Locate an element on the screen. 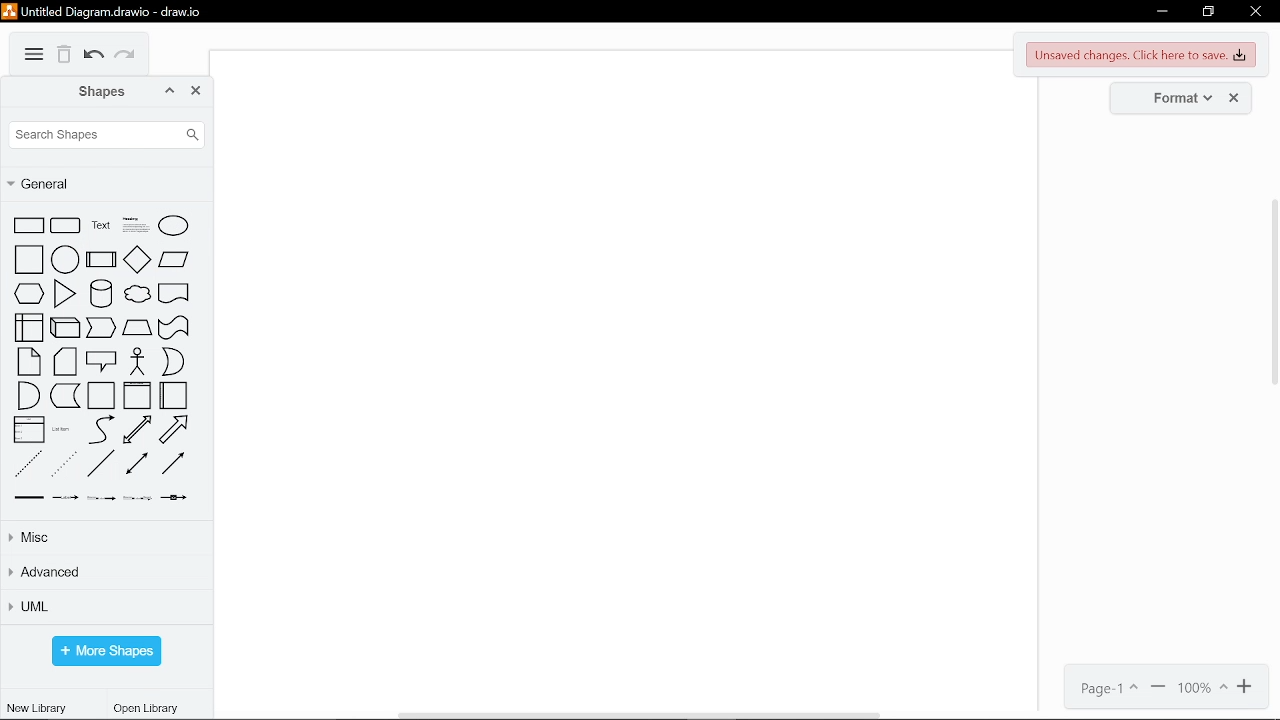 The image size is (1280, 720). cylinder is located at coordinates (98, 295).